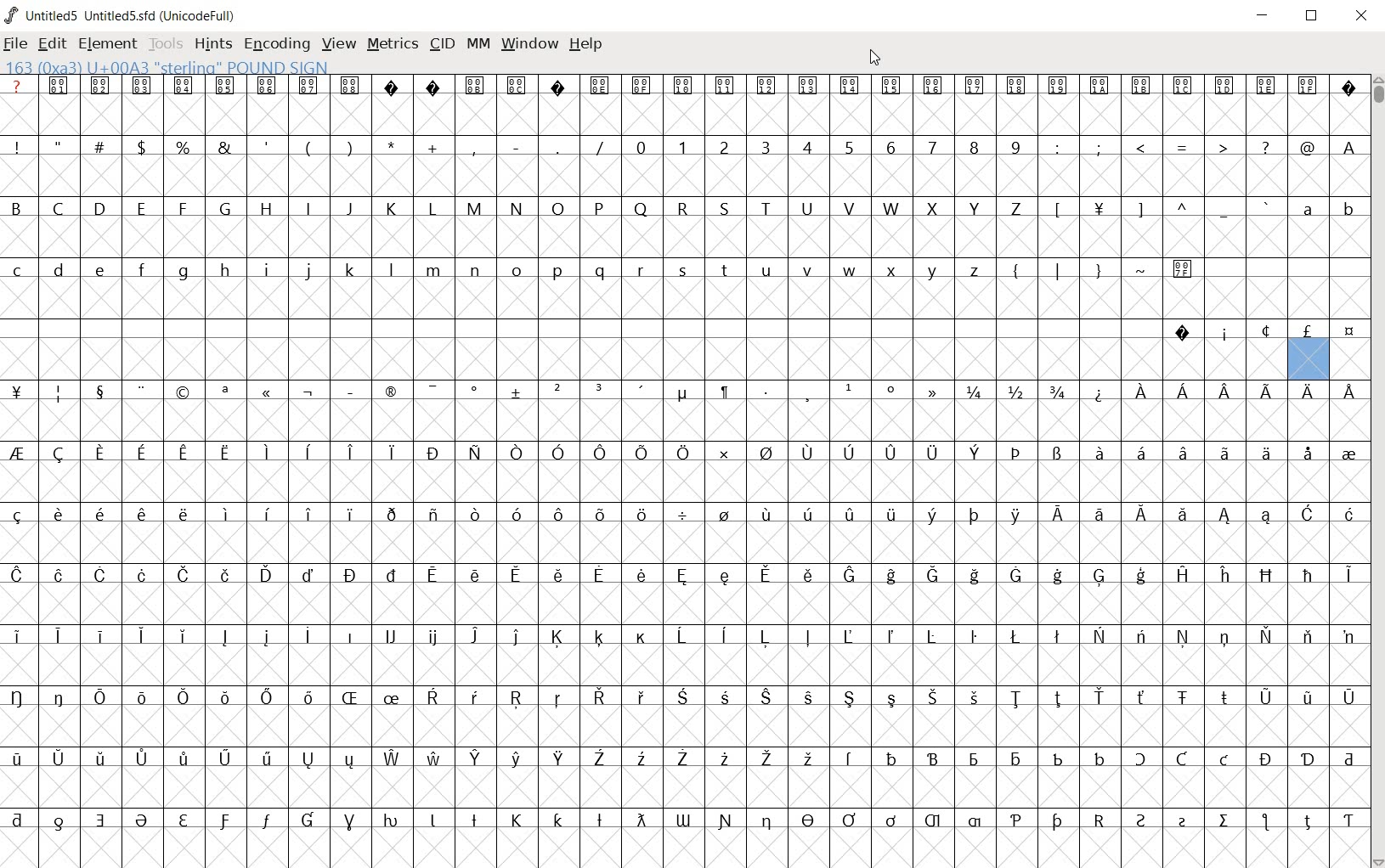 The image size is (1385, 868). Describe the element at coordinates (597, 271) in the screenshot. I see `q` at that location.